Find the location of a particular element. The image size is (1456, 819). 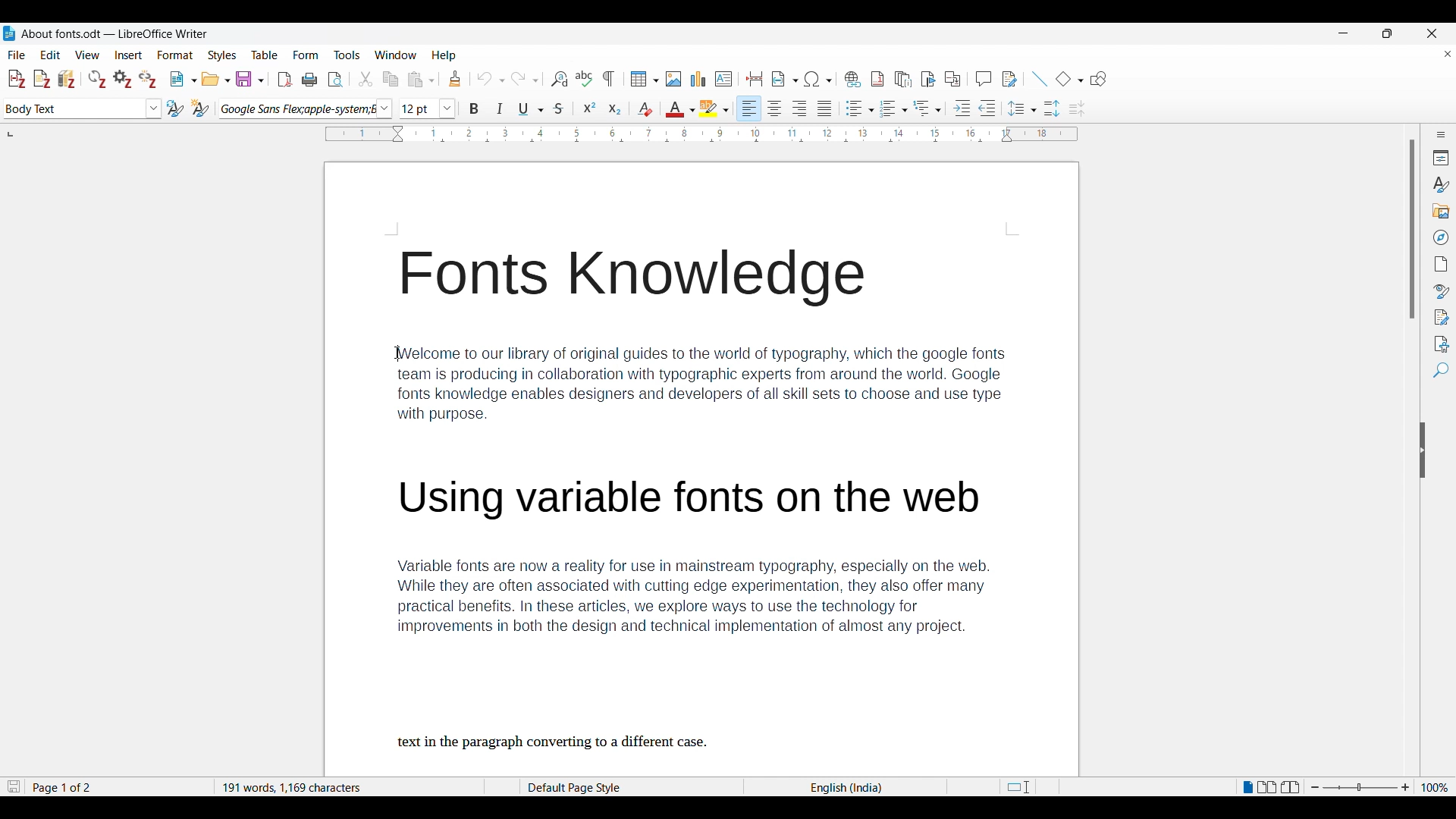

Decrease indent is located at coordinates (987, 108).